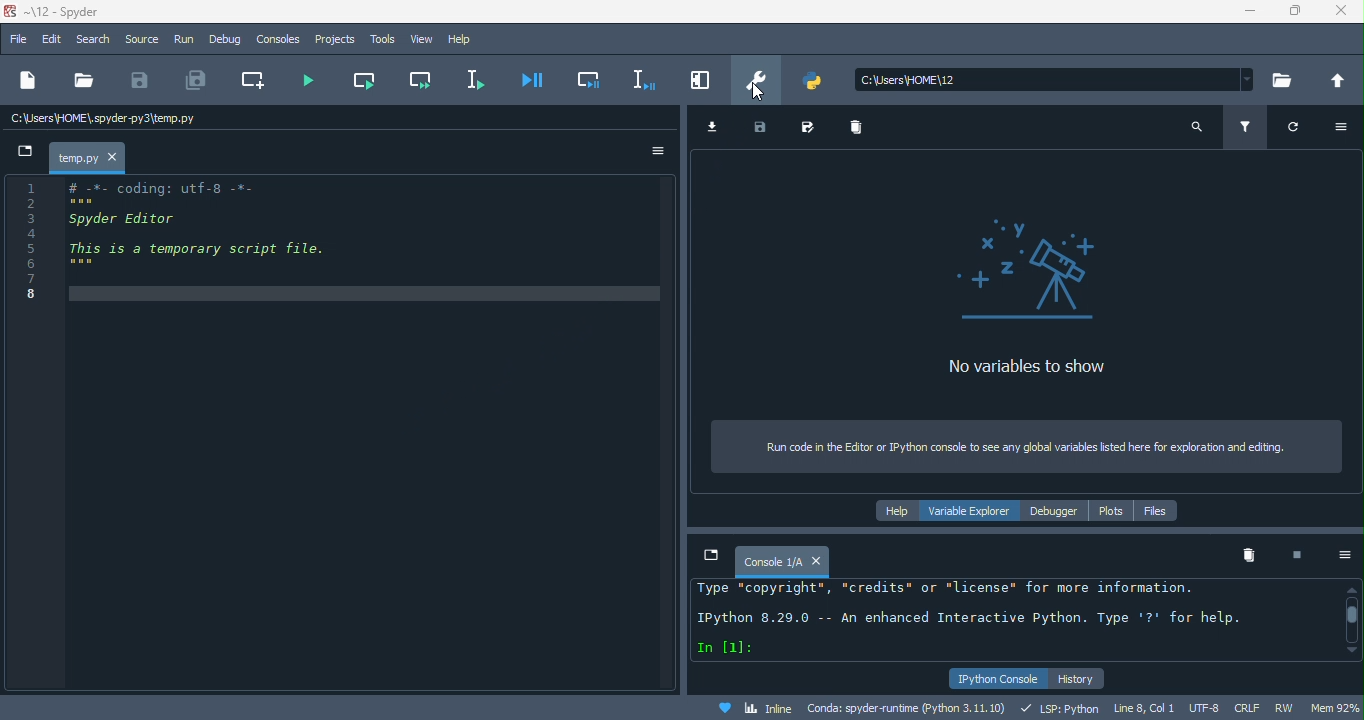 The image size is (1364, 720). I want to click on help, so click(894, 509).